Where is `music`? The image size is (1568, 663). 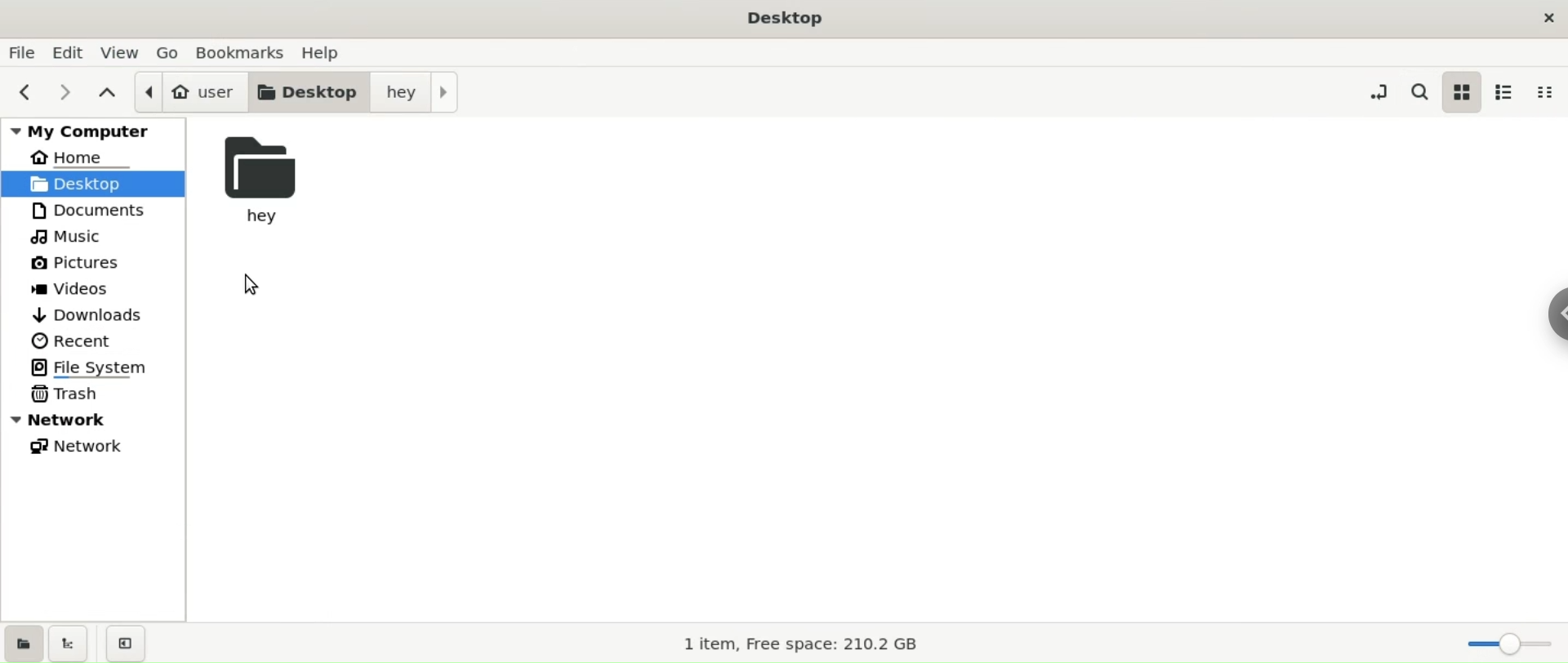 music is located at coordinates (103, 237).